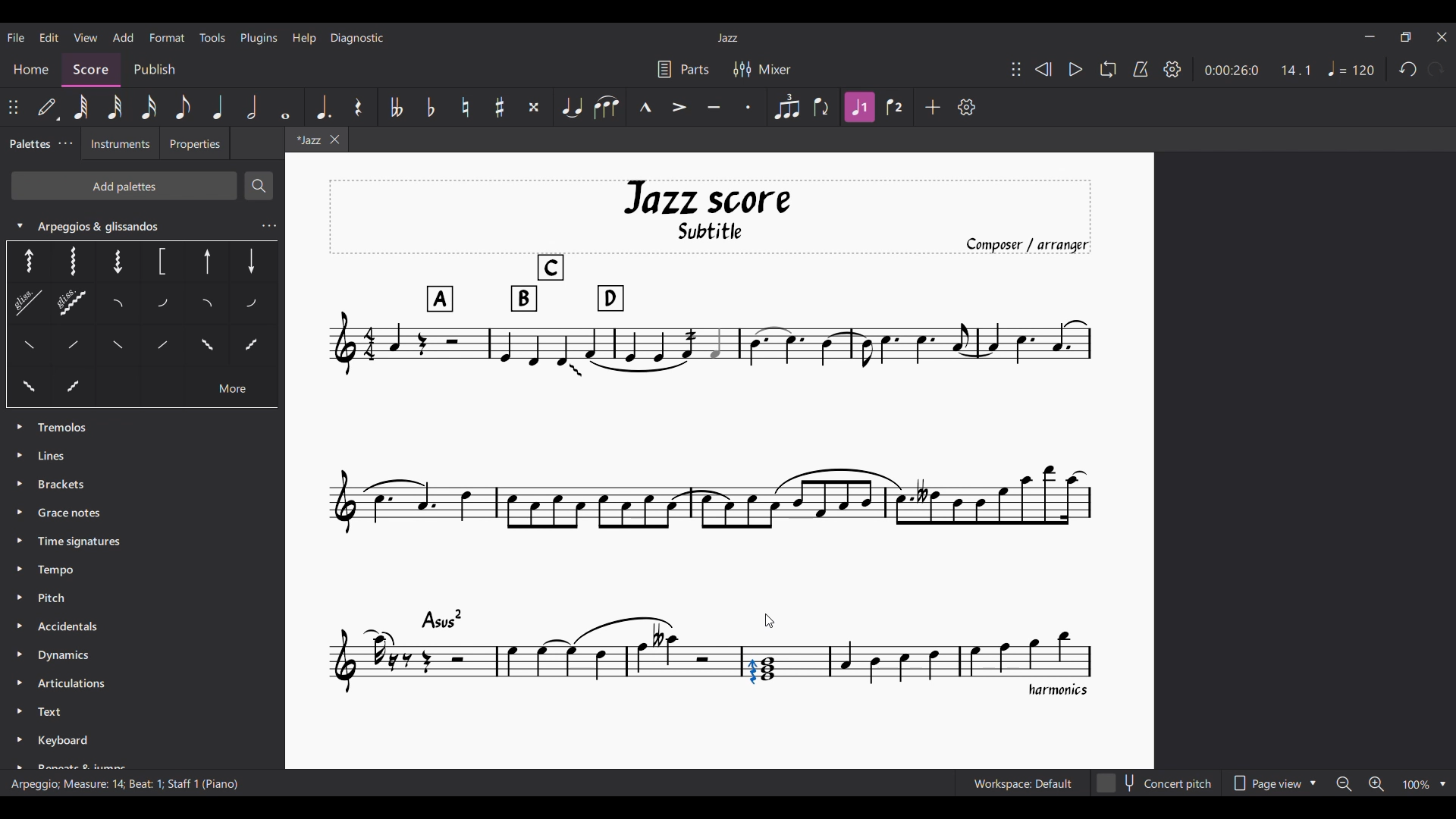 Image resolution: width=1456 pixels, height=819 pixels. What do you see at coordinates (13, 107) in the screenshot?
I see `Change position` at bounding box center [13, 107].